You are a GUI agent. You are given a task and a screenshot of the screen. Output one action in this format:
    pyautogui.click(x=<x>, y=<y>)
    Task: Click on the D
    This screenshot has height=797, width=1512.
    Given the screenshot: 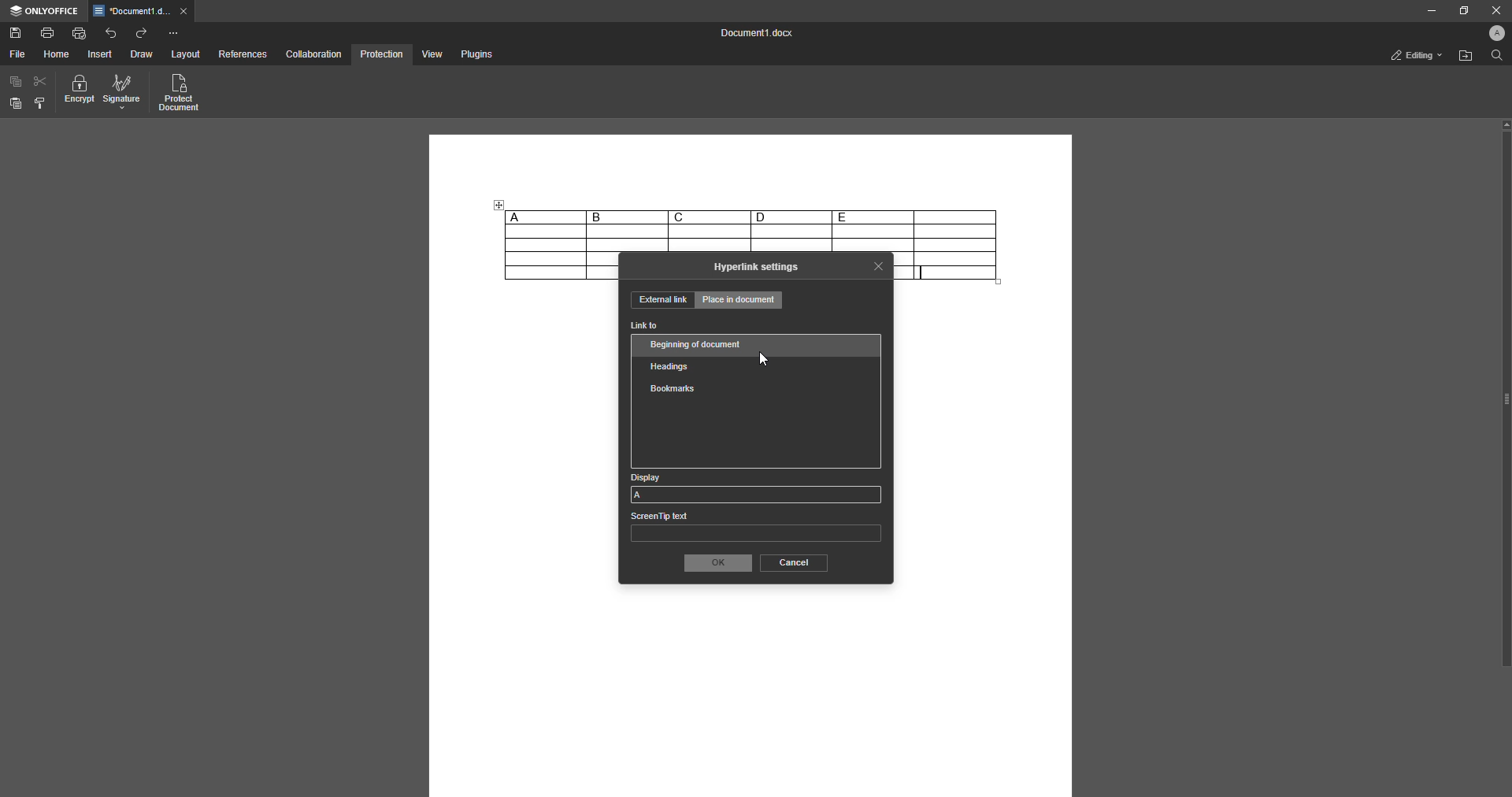 What is the action you would take?
    pyautogui.click(x=791, y=217)
    